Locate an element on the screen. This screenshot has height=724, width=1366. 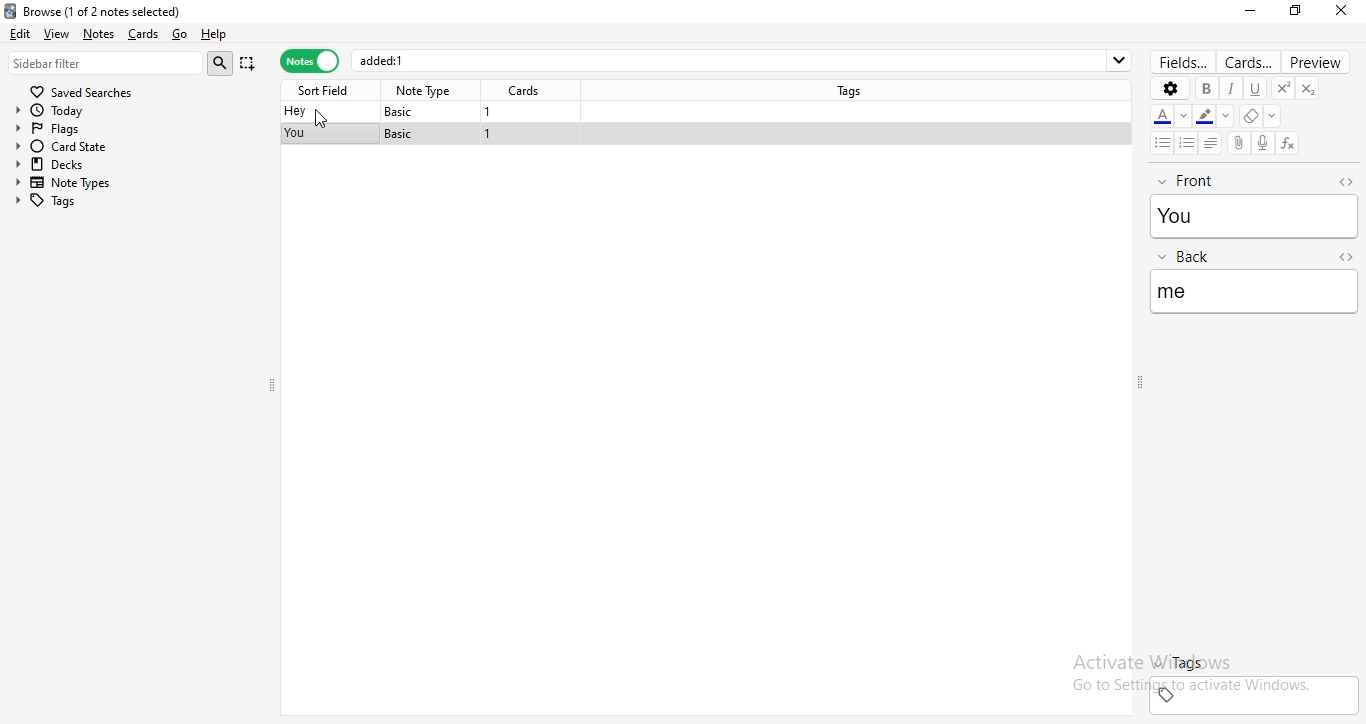
fields is located at coordinates (1182, 62).